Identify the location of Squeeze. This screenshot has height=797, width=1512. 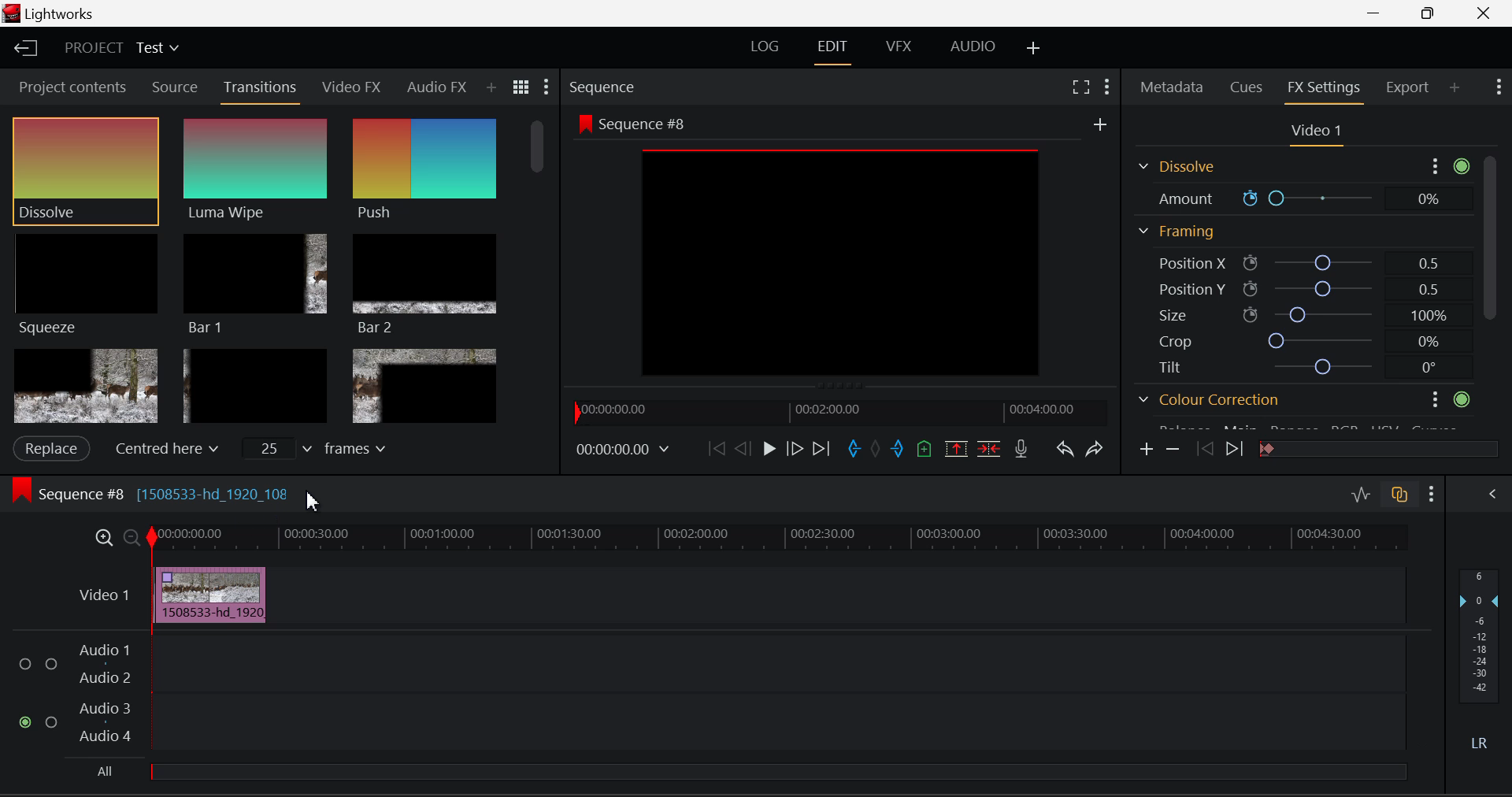
(86, 284).